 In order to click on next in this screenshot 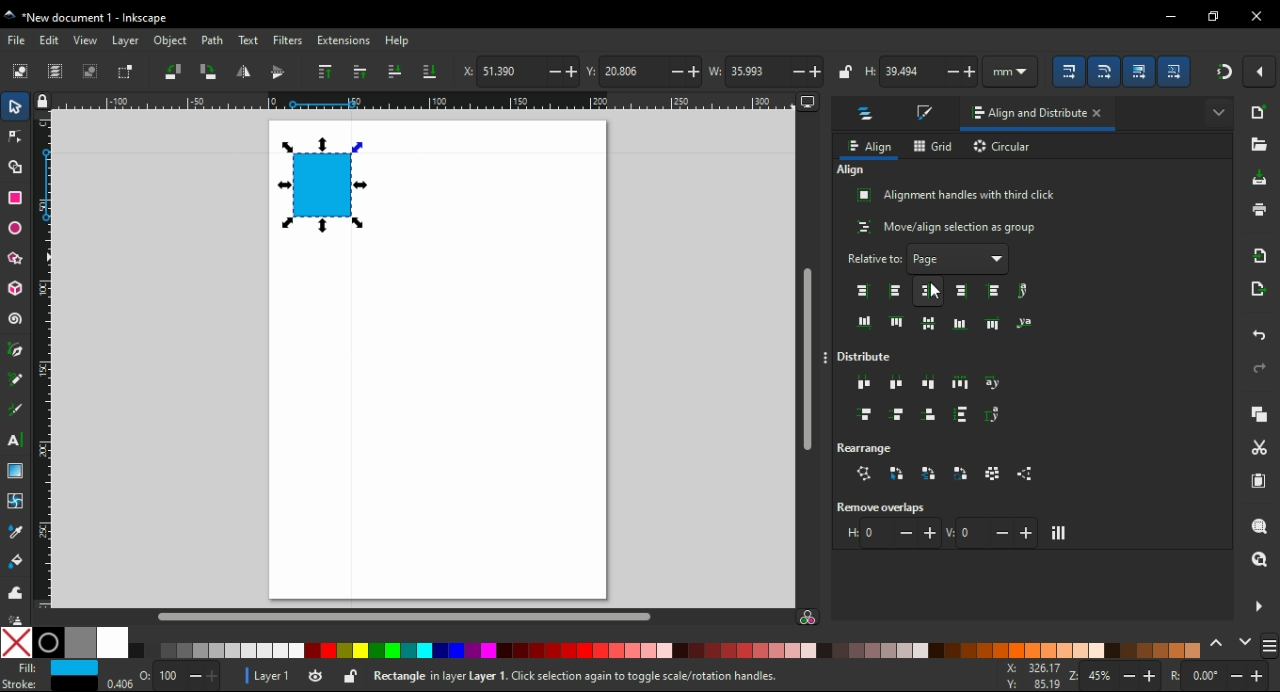, I will do `click(1245, 641)`.